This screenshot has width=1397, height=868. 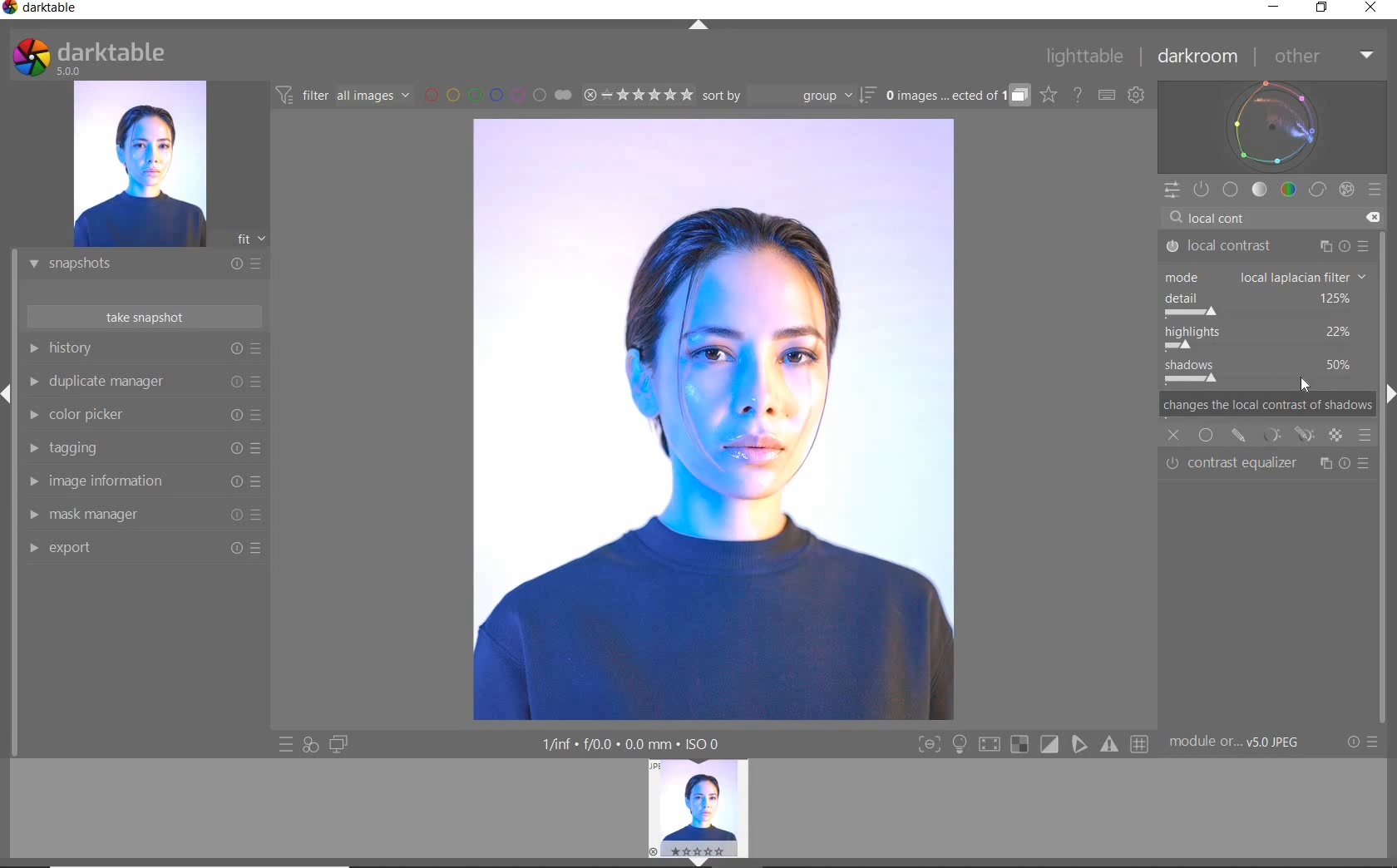 I want to click on RESTORE, so click(x=1325, y=8).